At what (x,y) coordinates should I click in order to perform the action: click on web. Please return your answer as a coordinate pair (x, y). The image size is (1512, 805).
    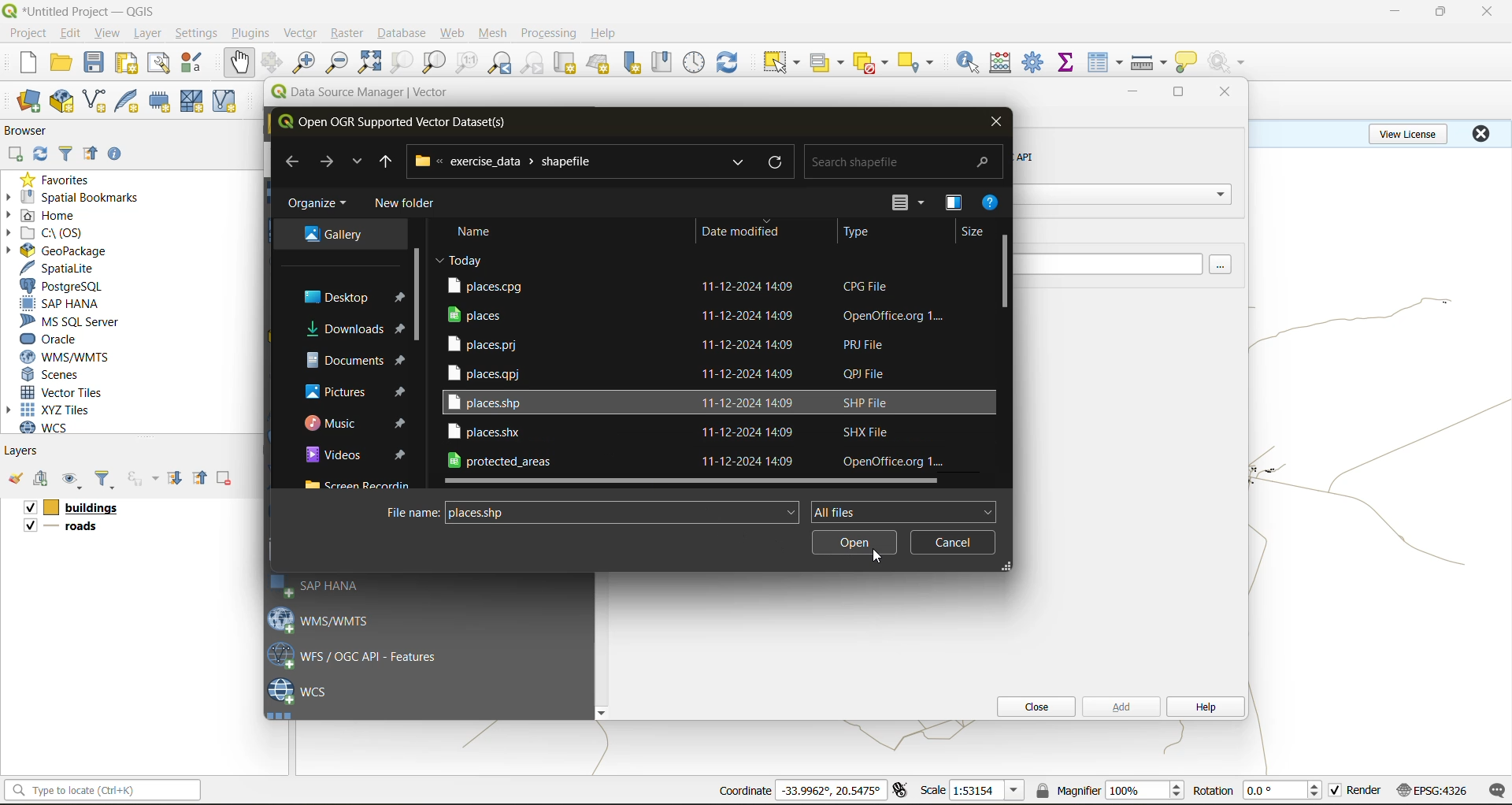
    Looking at the image, I should click on (453, 33).